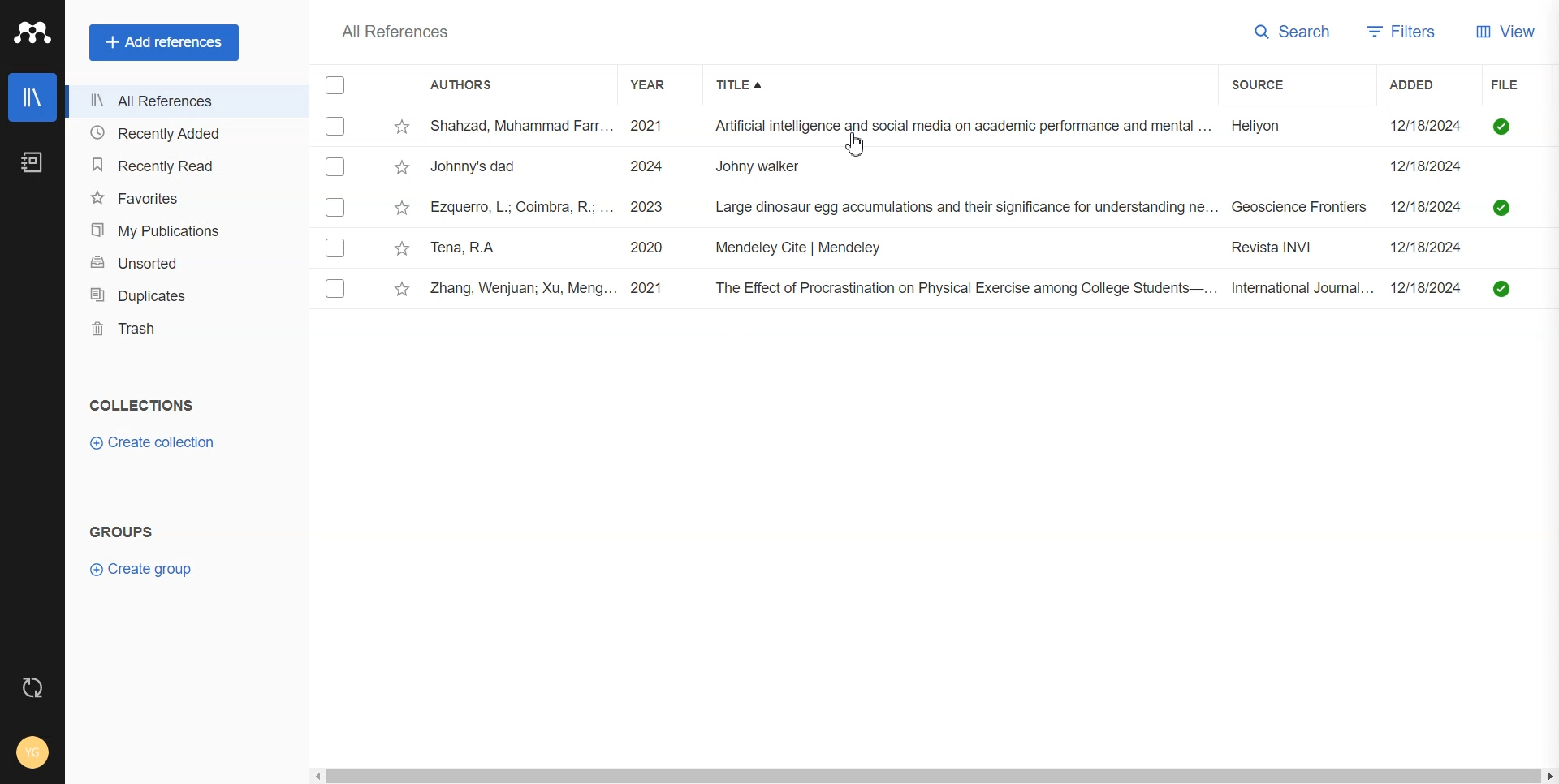  I want to click on tv Ezquerro, L.; Coimbra, R.; ... 2023 Large dinosaur egg accumulations and their significance for understanding ne... Geoscience Frontiers ~~ 12/18/2024, so click(948, 207).